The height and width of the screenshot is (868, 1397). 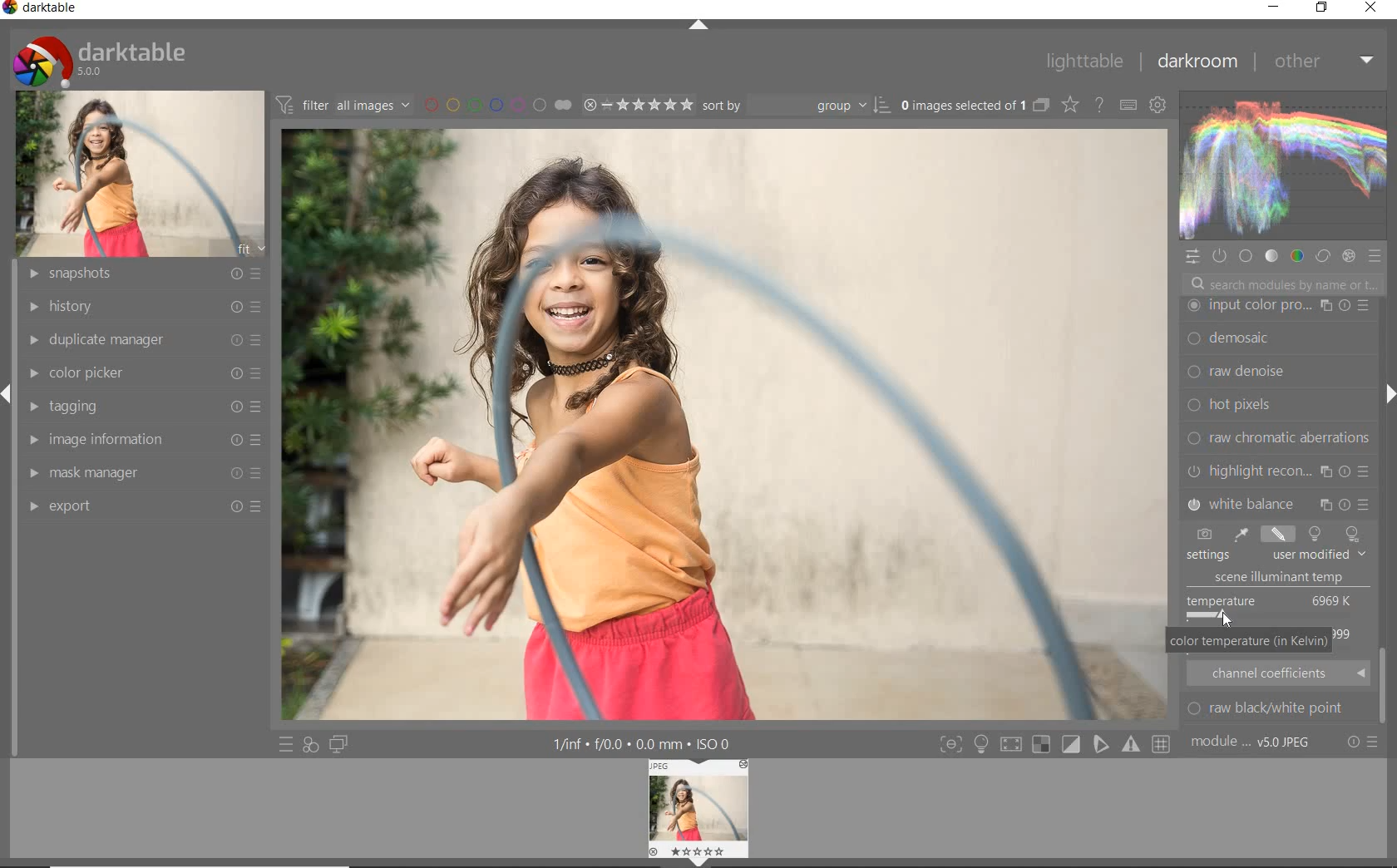 What do you see at coordinates (149, 370) in the screenshot?
I see `color picker` at bounding box center [149, 370].